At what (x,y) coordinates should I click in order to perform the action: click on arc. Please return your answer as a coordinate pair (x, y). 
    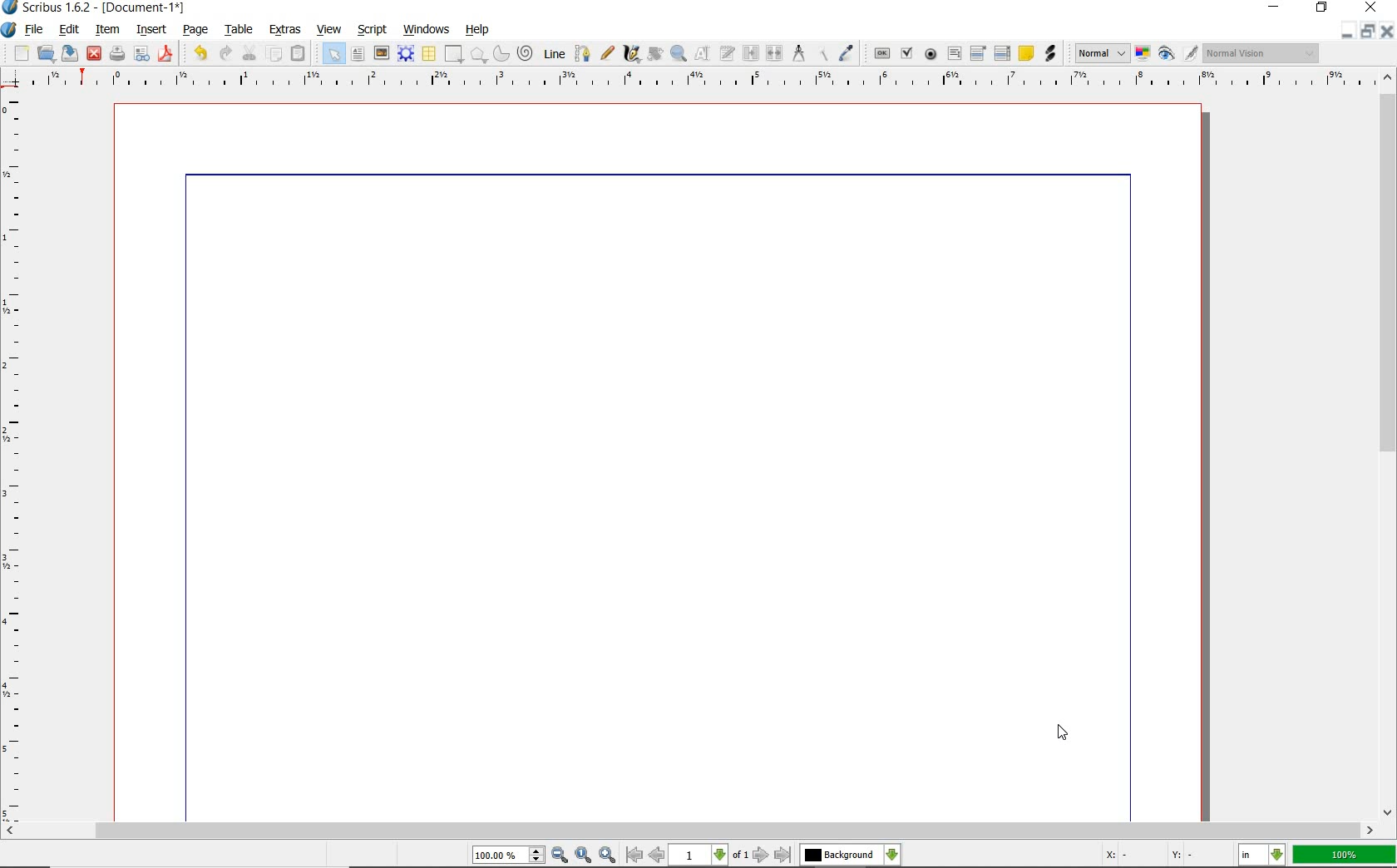
    Looking at the image, I should click on (501, 53).